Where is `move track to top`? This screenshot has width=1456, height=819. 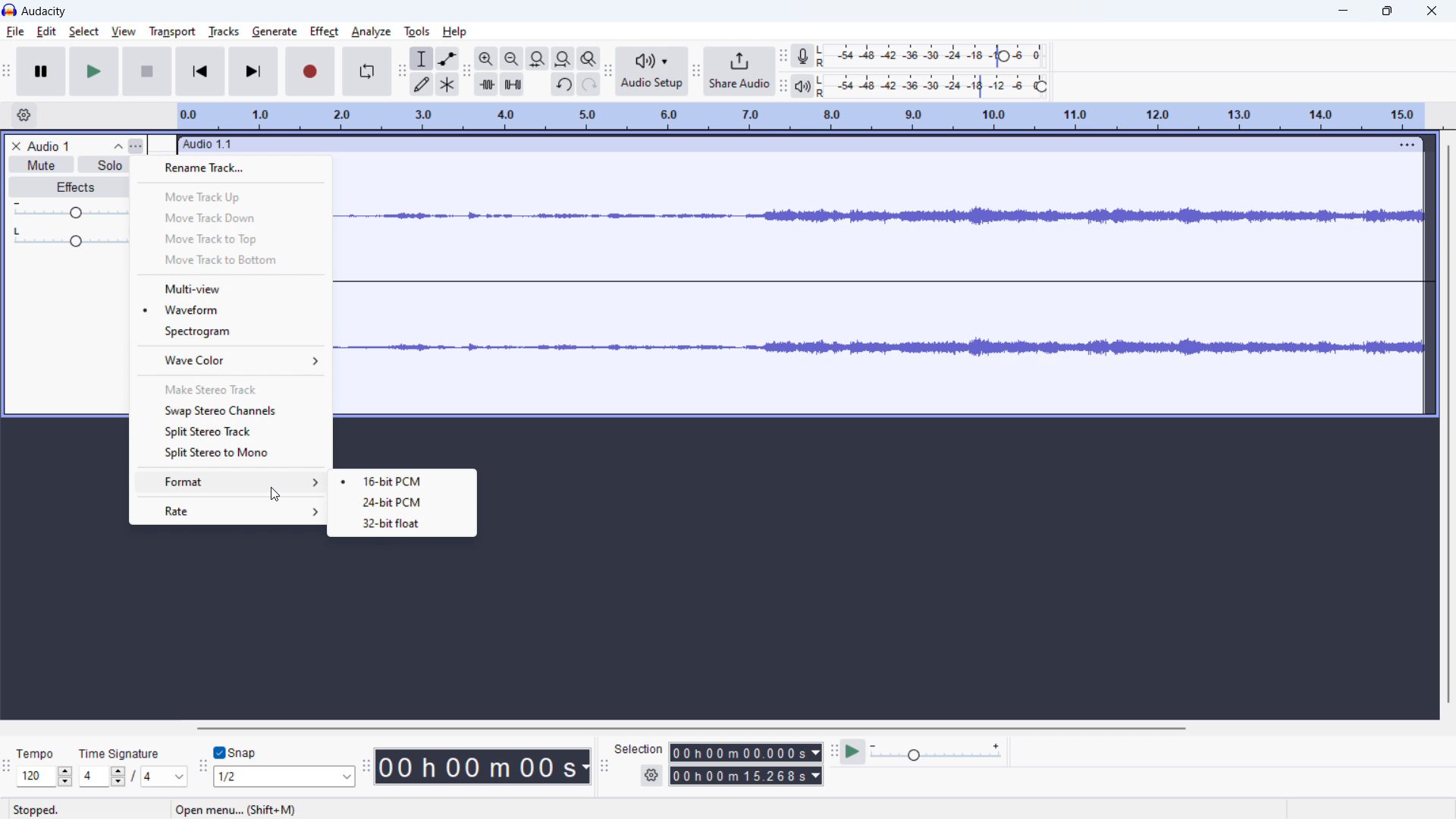 move track to top is located at coordinates (231, 238).